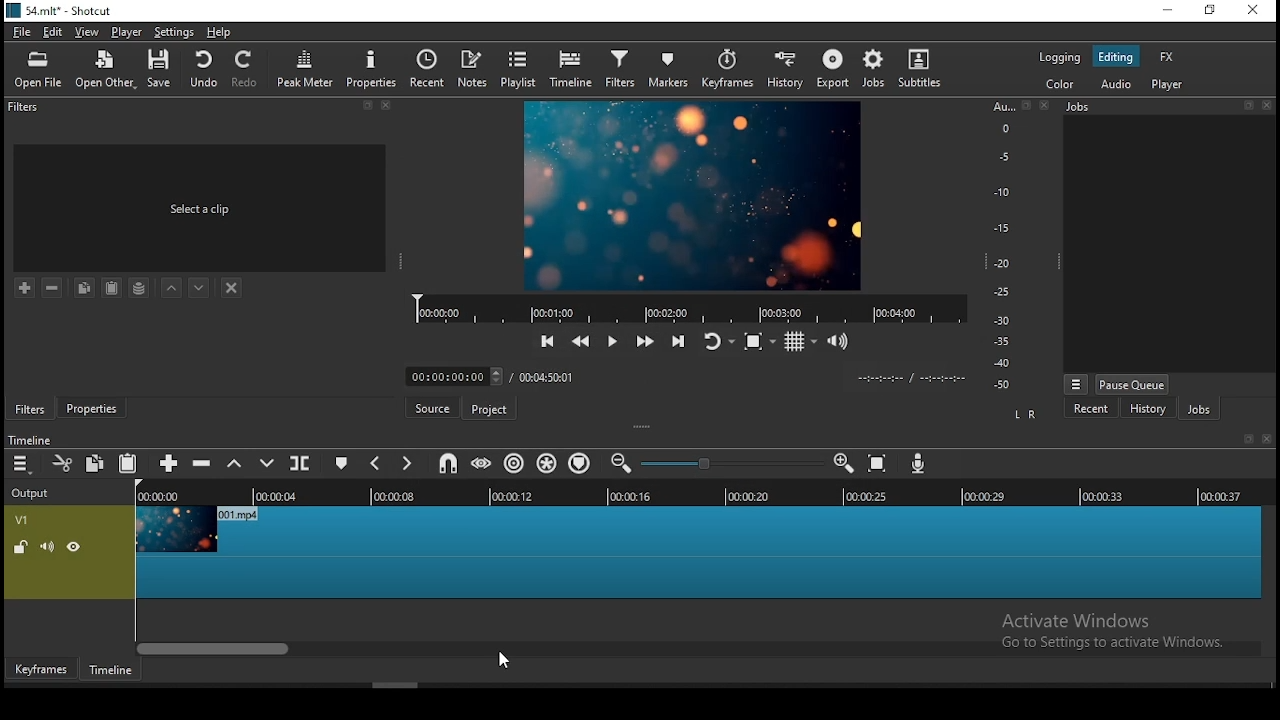 Image resolution: width=1280 pixels, height=720 pixels. Describe the element at coordinates (678, 342) in the screenshot. I see `skip to the next point` at that location.